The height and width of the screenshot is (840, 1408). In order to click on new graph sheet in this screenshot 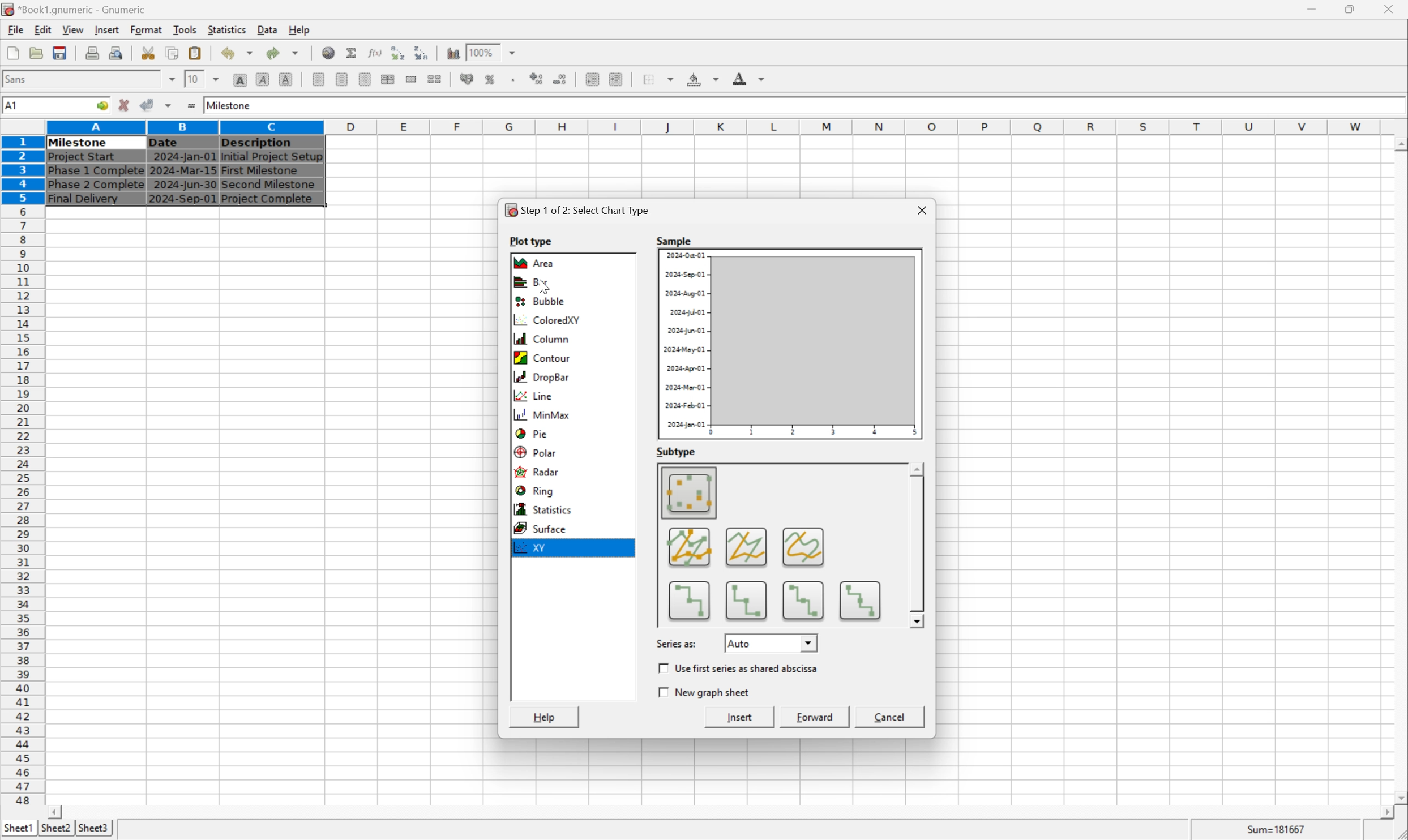, I will do `click(706, 692)`.